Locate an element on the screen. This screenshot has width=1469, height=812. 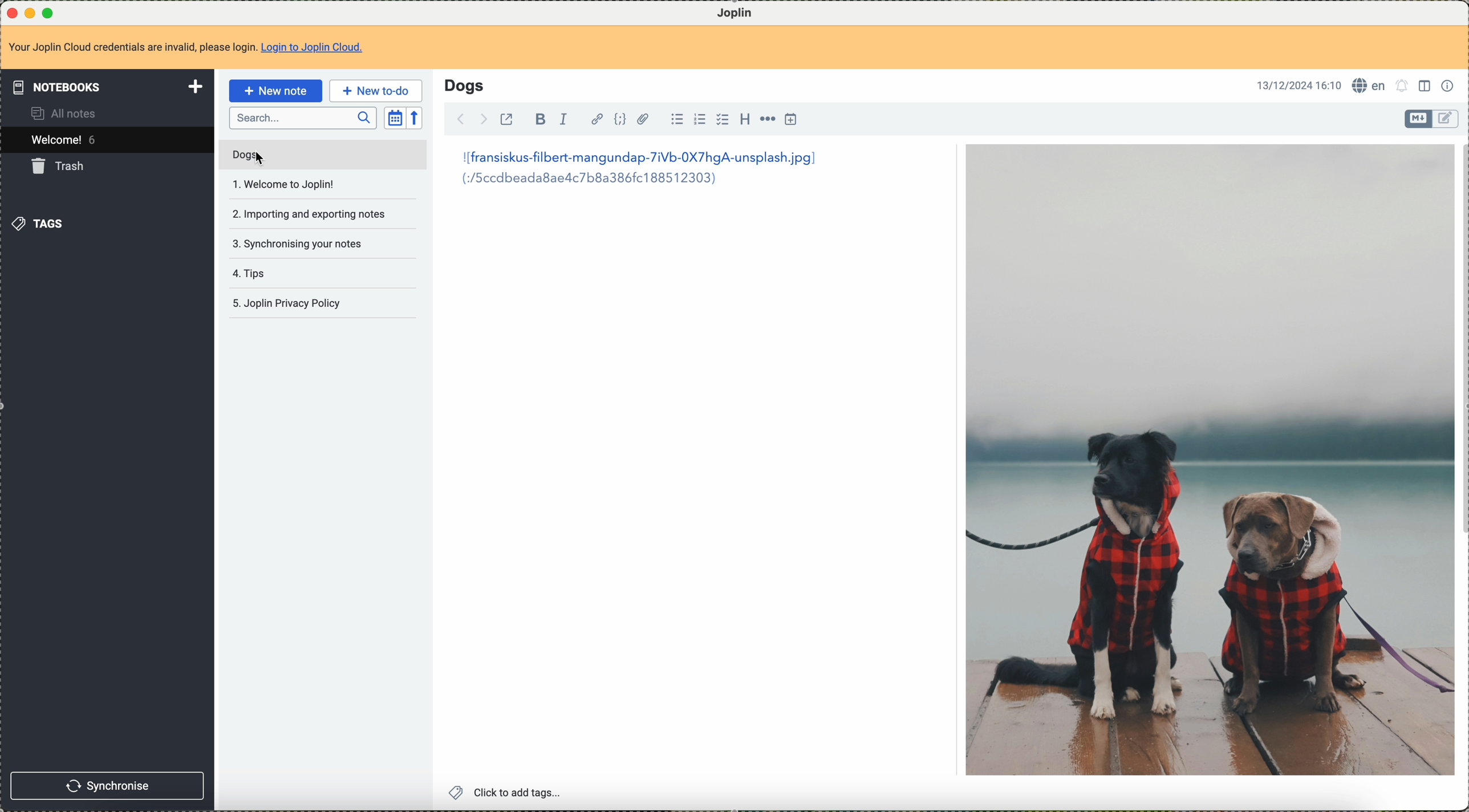
welcome is located at coordinates (105, 140).